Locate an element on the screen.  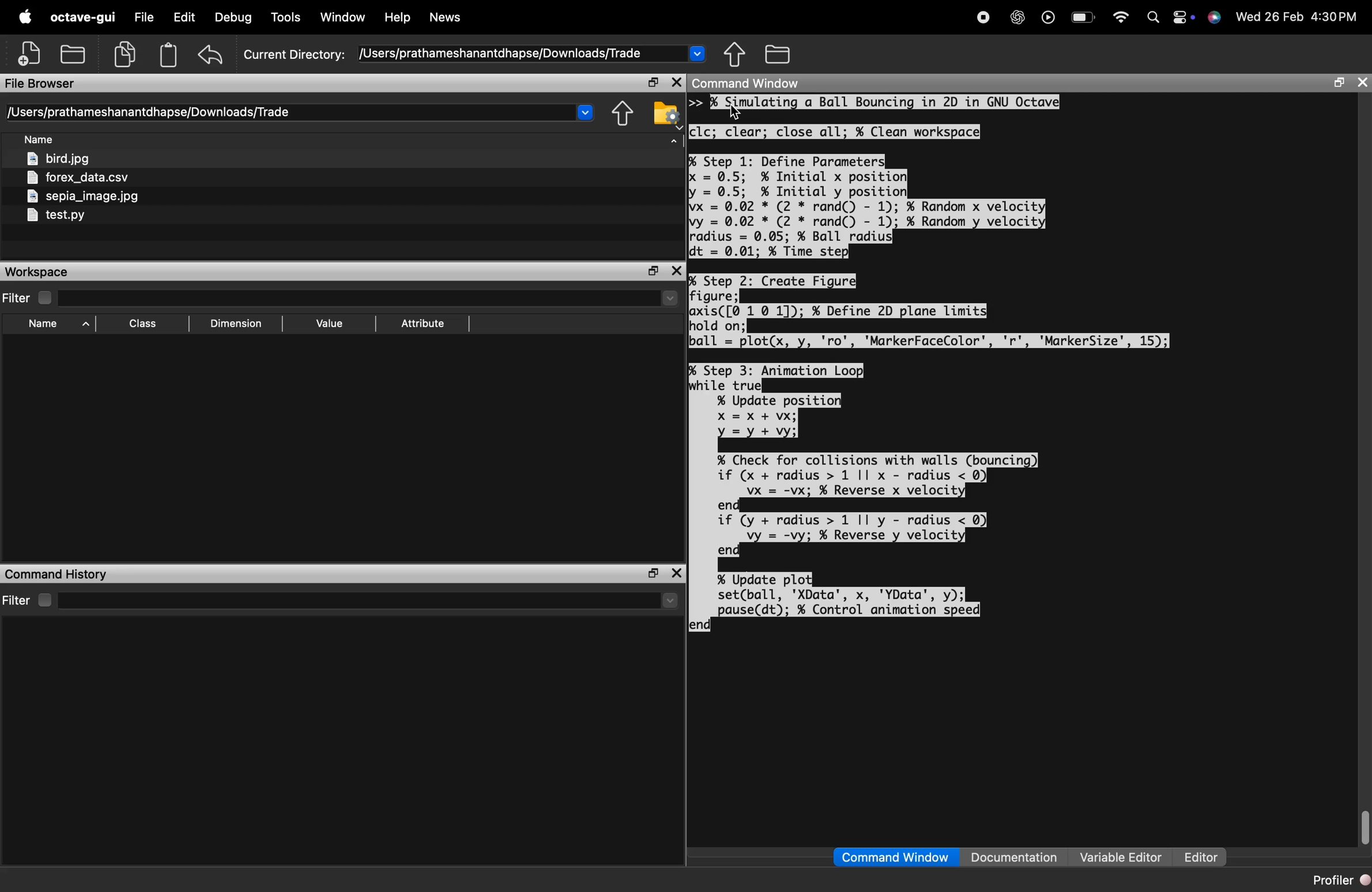
Drop-down  is located at coordinates (670, 600).